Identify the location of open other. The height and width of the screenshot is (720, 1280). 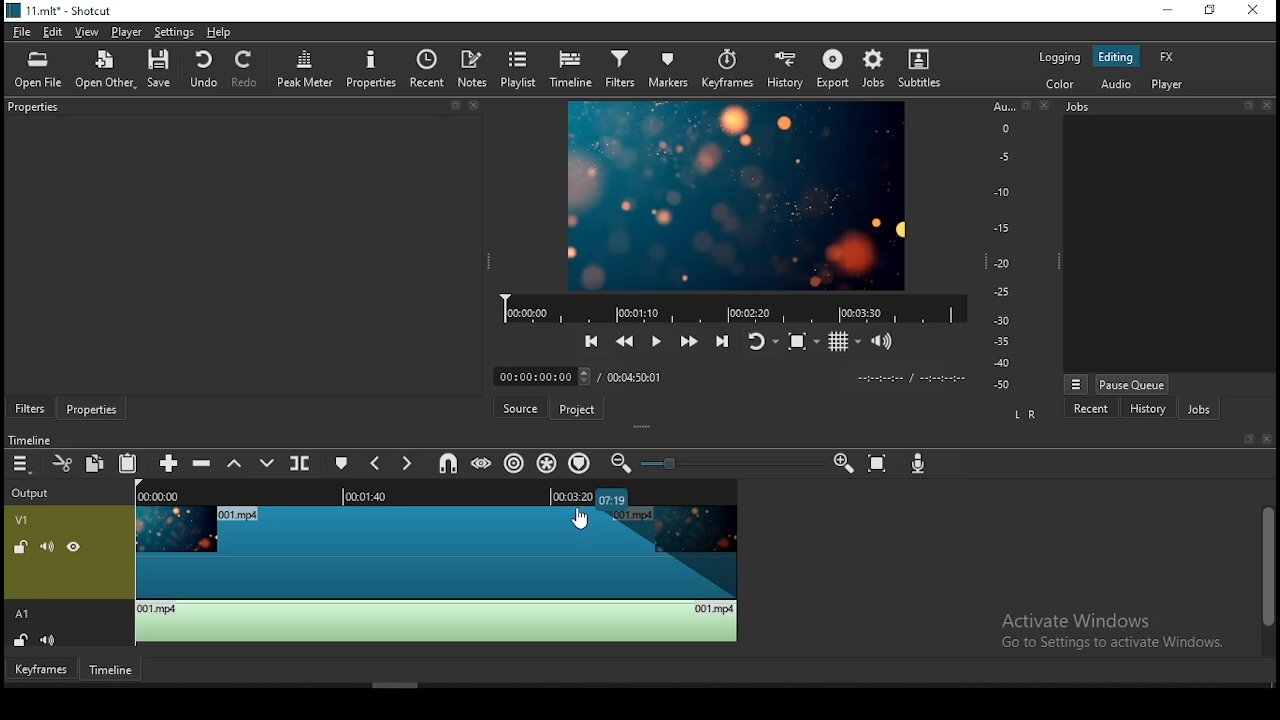
(105, 68).